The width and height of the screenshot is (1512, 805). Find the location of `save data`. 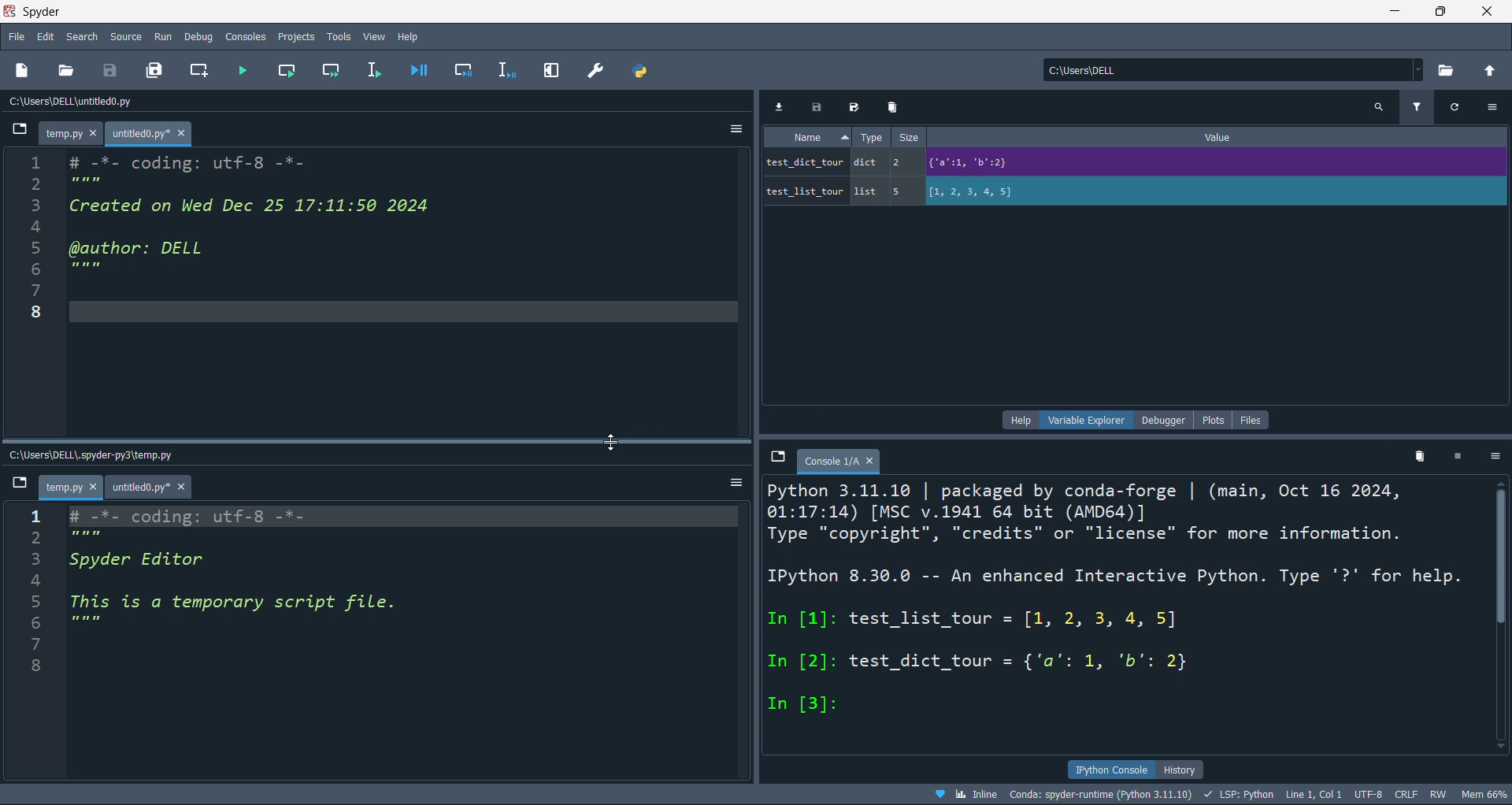

save data is located at coordinates (817, 106).